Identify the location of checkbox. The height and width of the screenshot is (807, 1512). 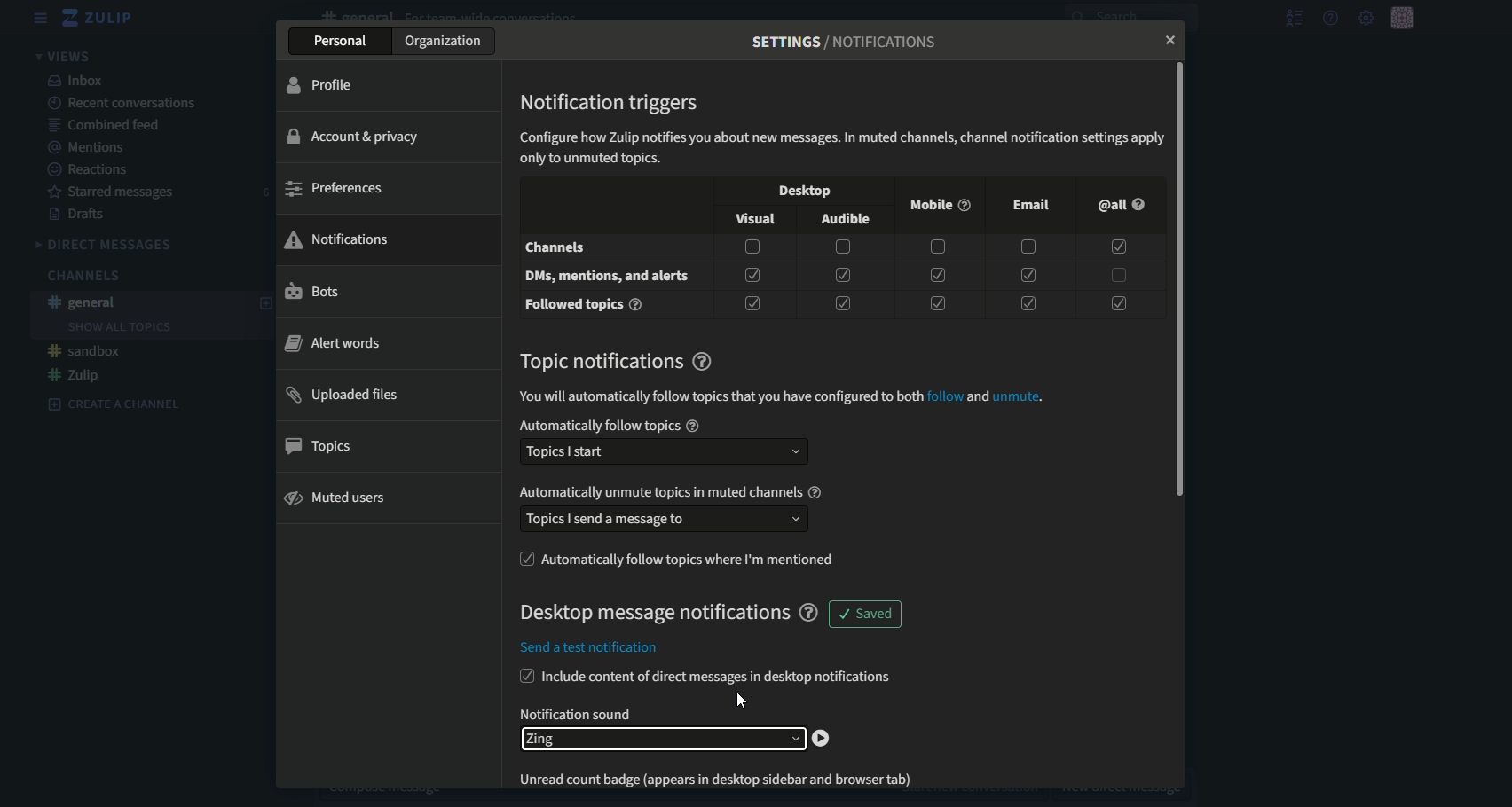
(1118, 301).